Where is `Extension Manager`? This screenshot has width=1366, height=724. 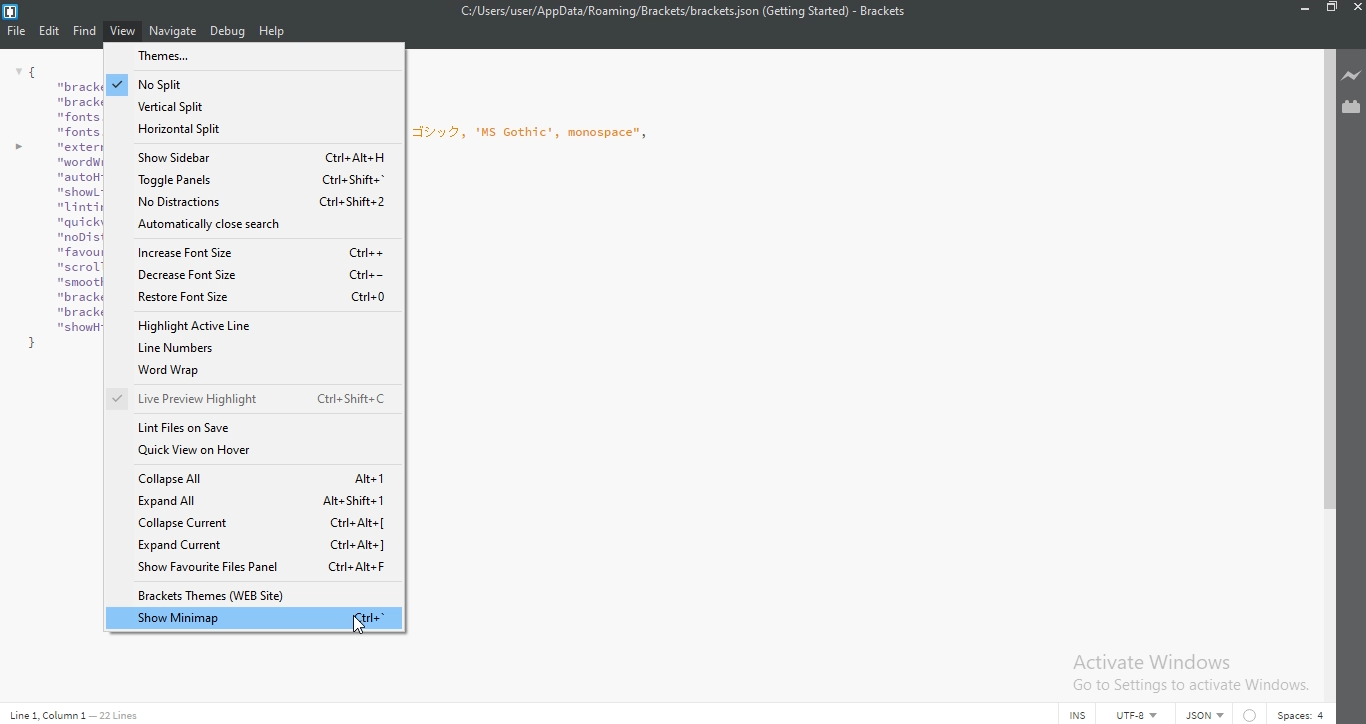 Extension Manager is located at coordinates (1352, 110).